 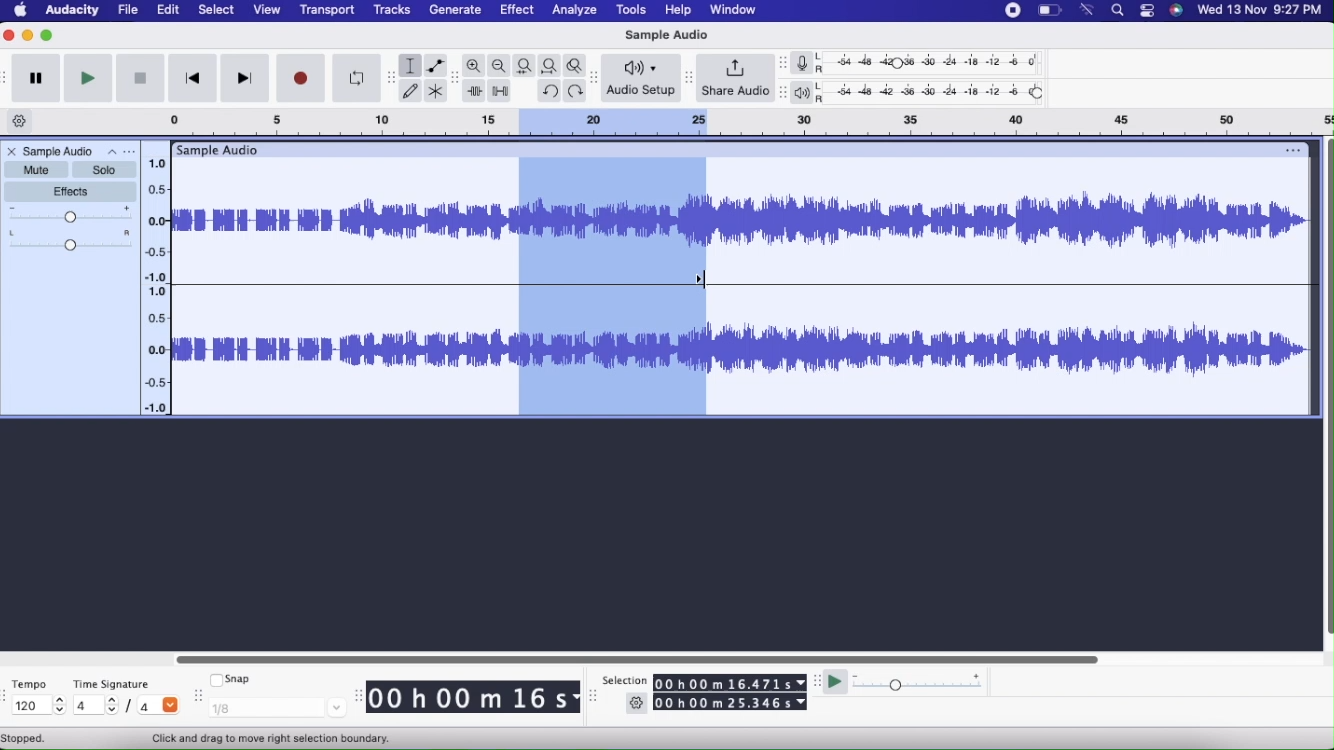 What do you see at coordinates (502, 92) in the screenshot?
I see `Silence audio selection` at bounding box center [502, 92].